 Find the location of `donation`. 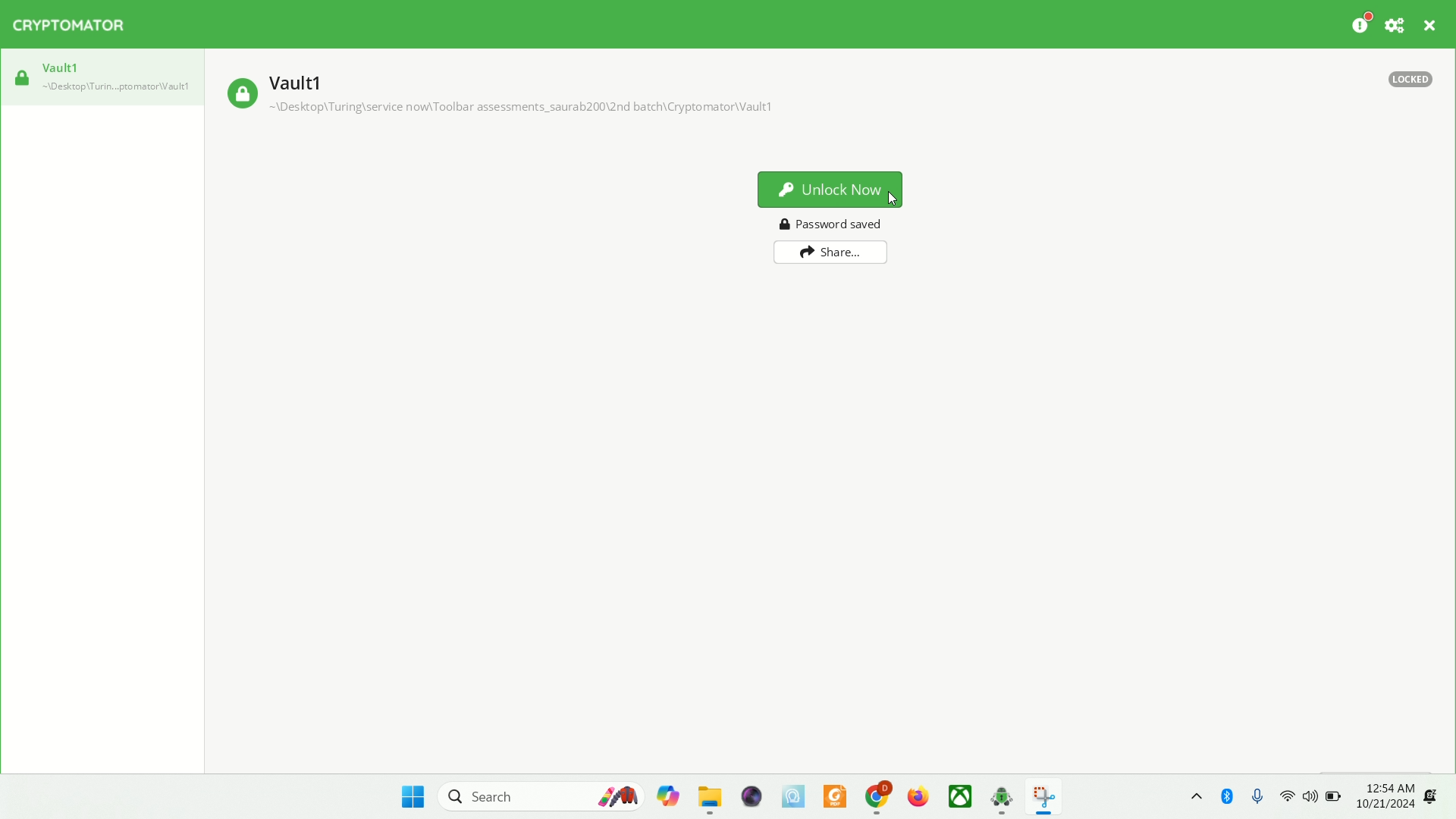

donation is located at coordinates (1362, 26).